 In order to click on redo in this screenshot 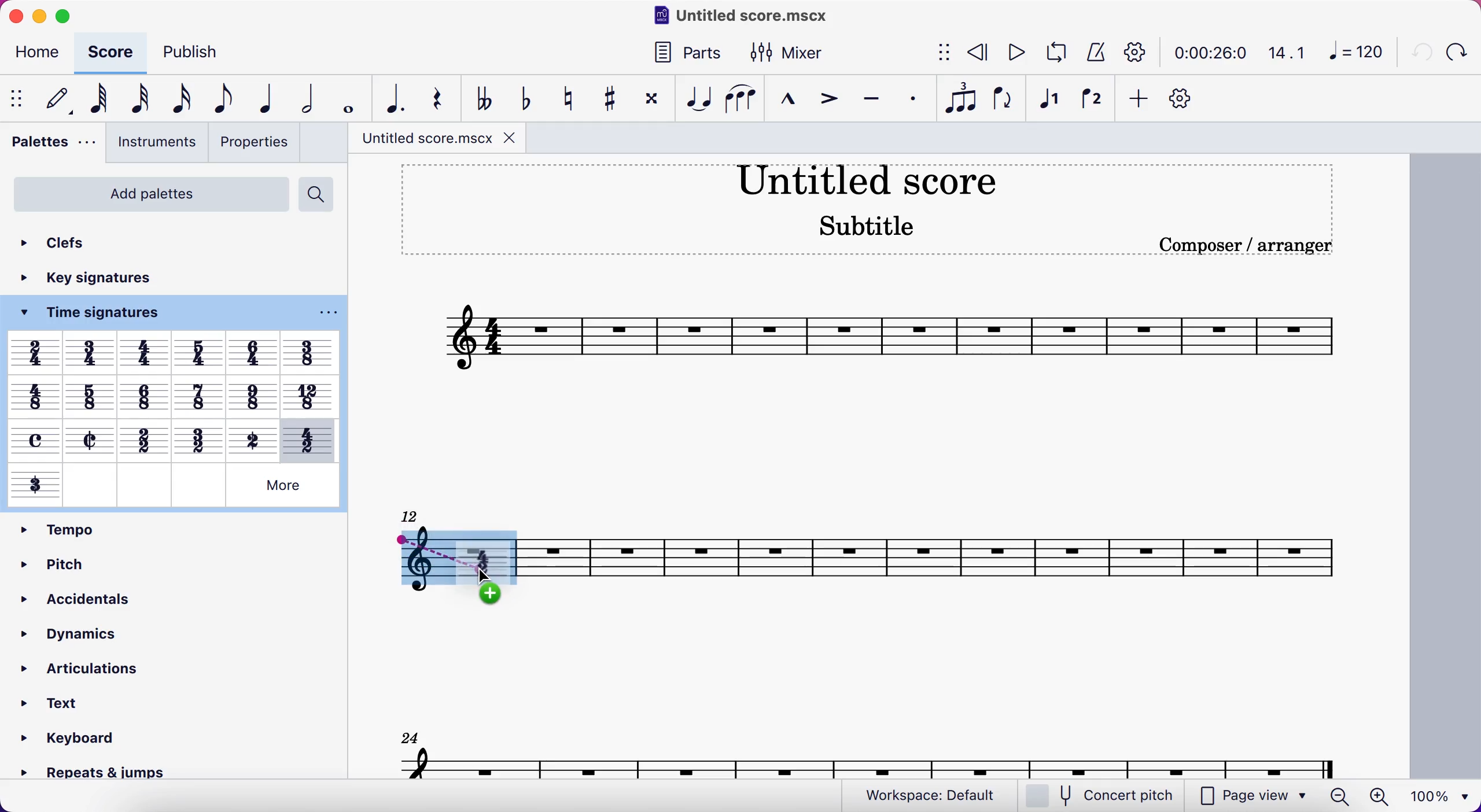, I will do `click(1459, 51)`.